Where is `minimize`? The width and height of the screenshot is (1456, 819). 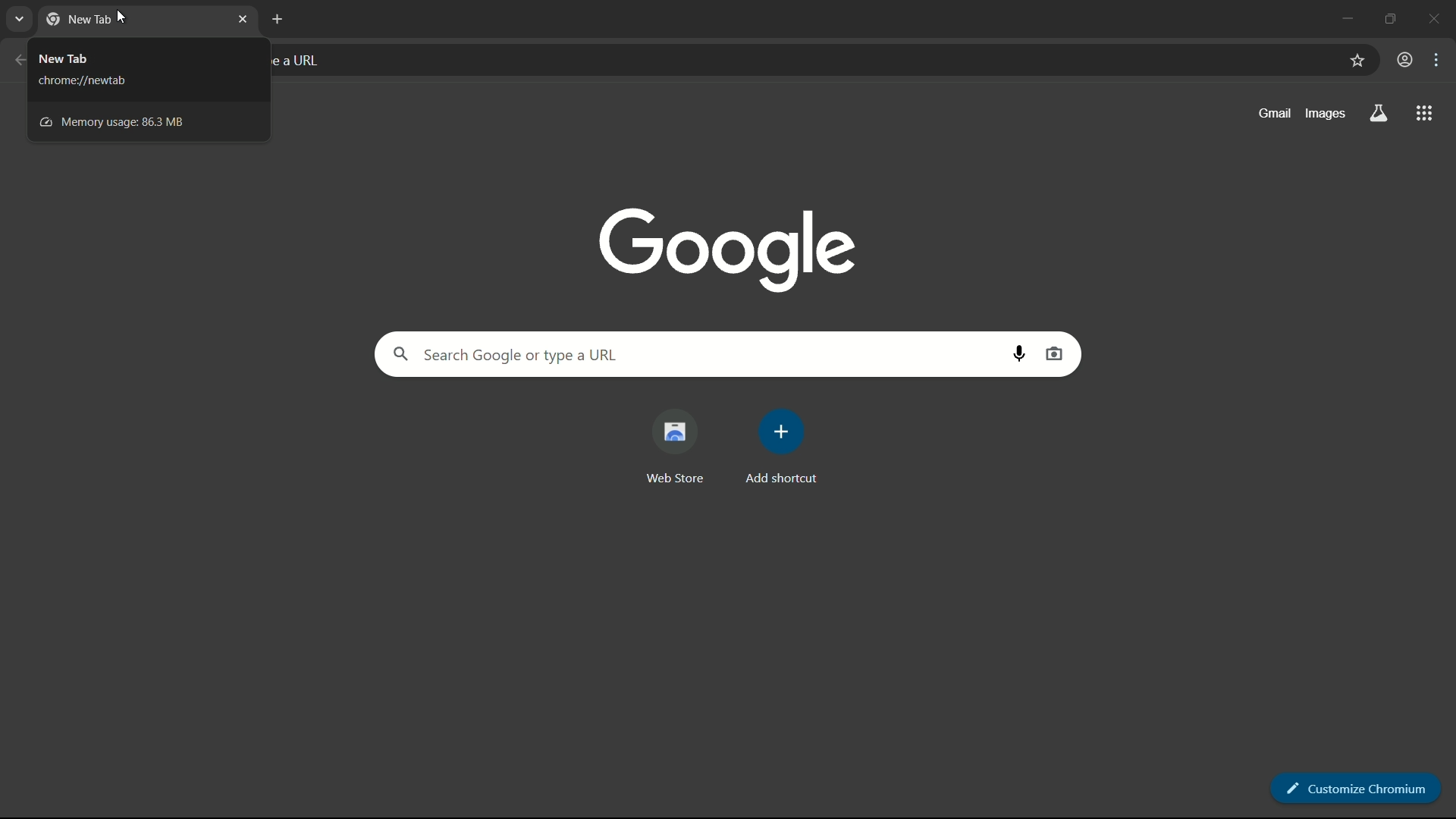 minimize is located at coordinates (1344, 17).